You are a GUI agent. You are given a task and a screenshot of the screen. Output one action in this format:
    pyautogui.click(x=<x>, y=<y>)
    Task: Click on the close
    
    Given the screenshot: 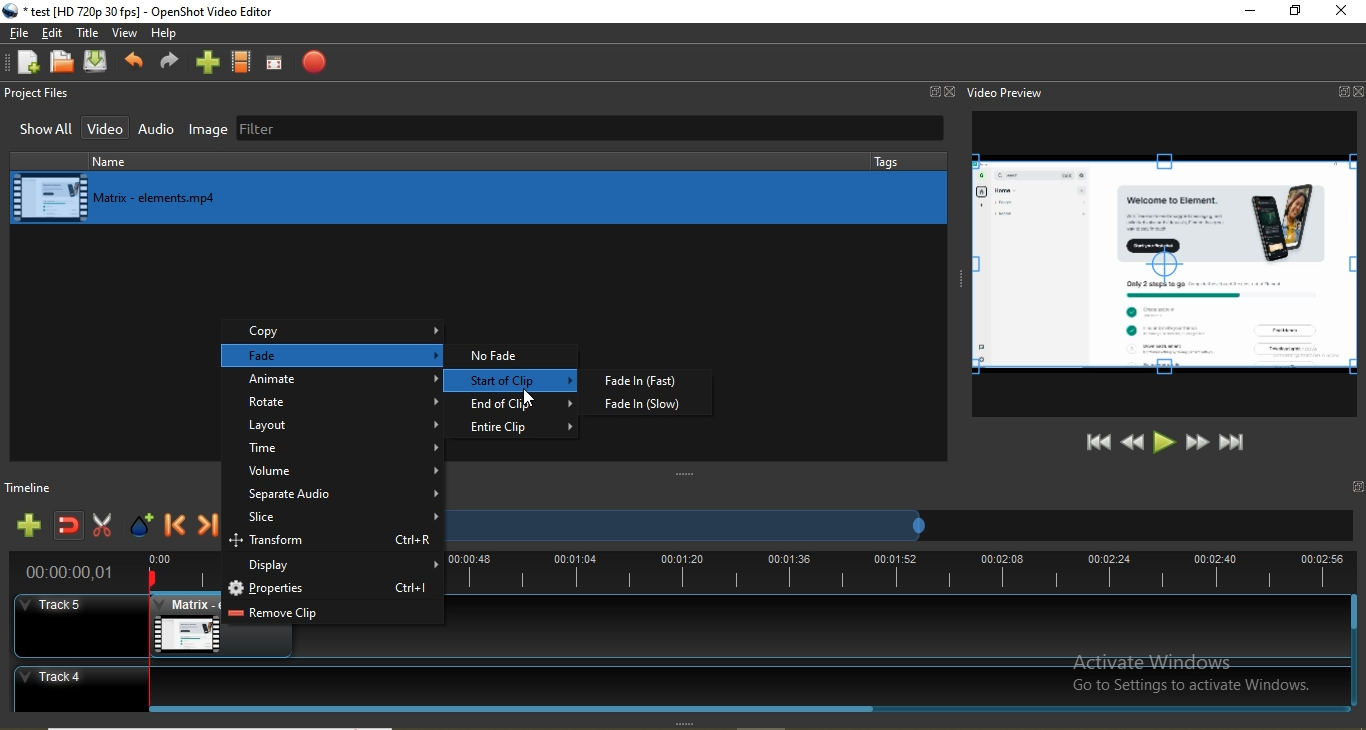 What is the action you would take?
    pyautogui.click(x=1341, y=12)
    